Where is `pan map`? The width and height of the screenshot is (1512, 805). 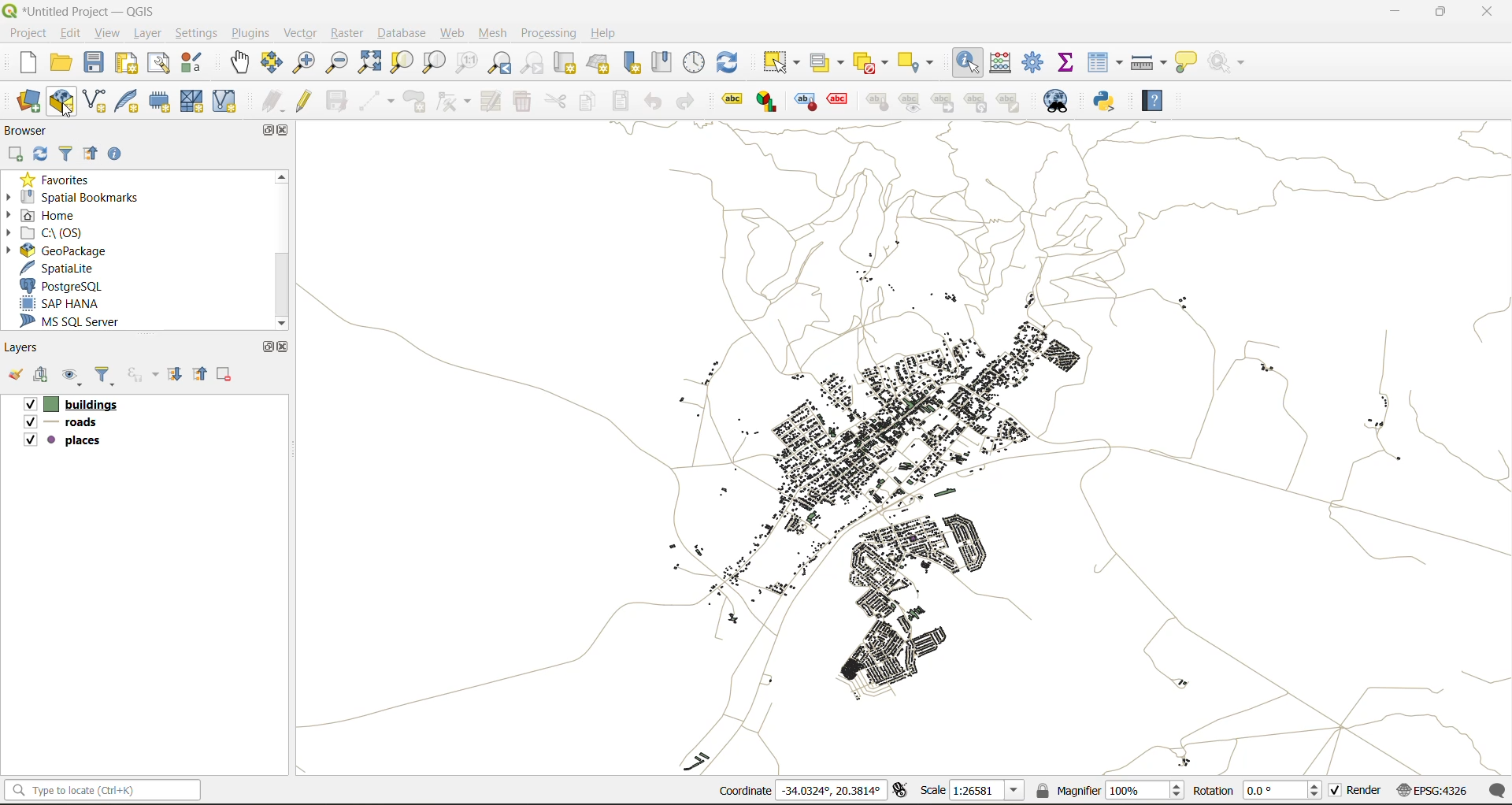 pan map is located at coordinates (240, 65).